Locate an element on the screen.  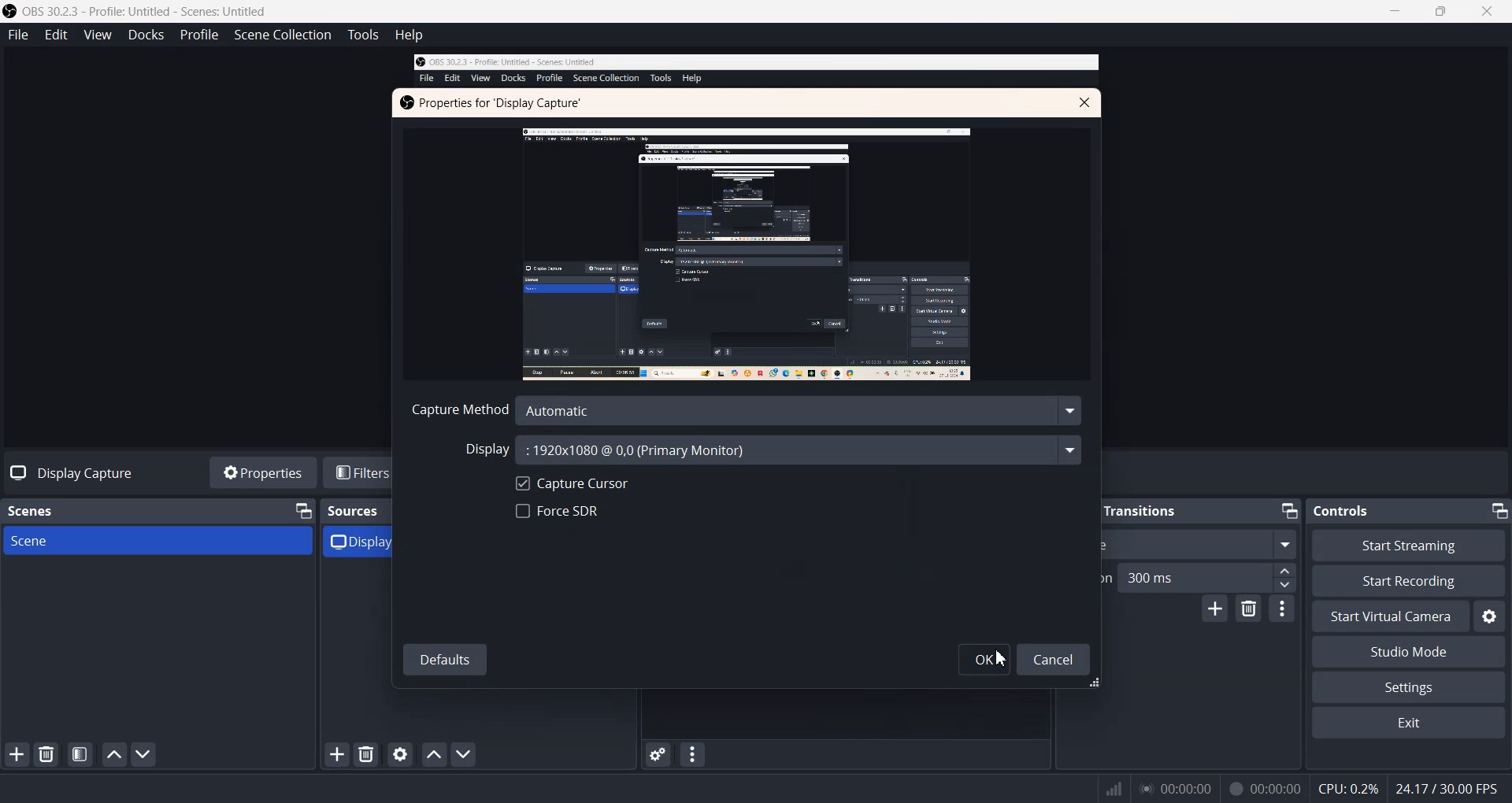
Settings is located at coordinates (1408, 688).